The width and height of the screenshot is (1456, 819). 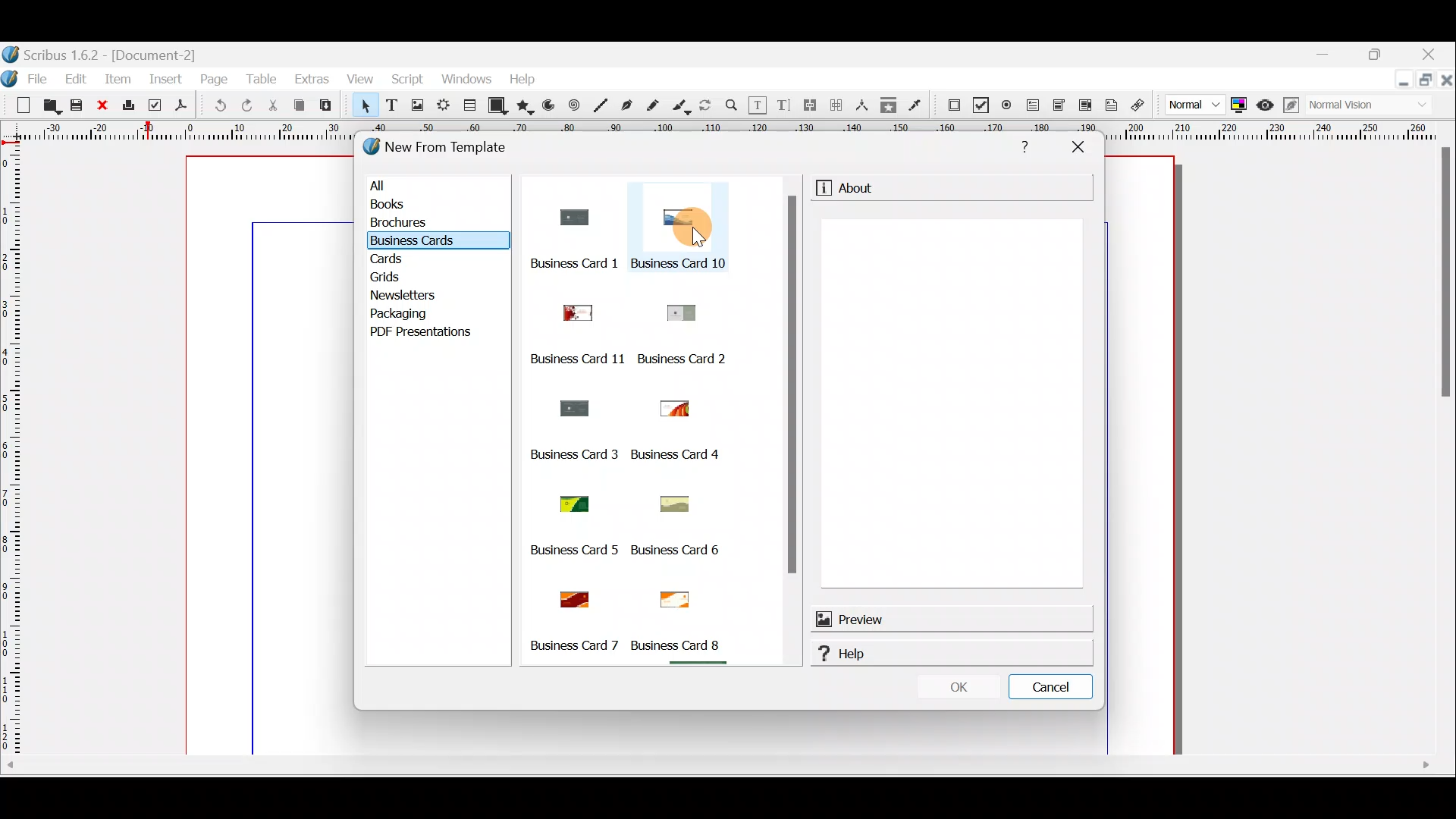 I want to click on Grids, so click(x=401, y=278).